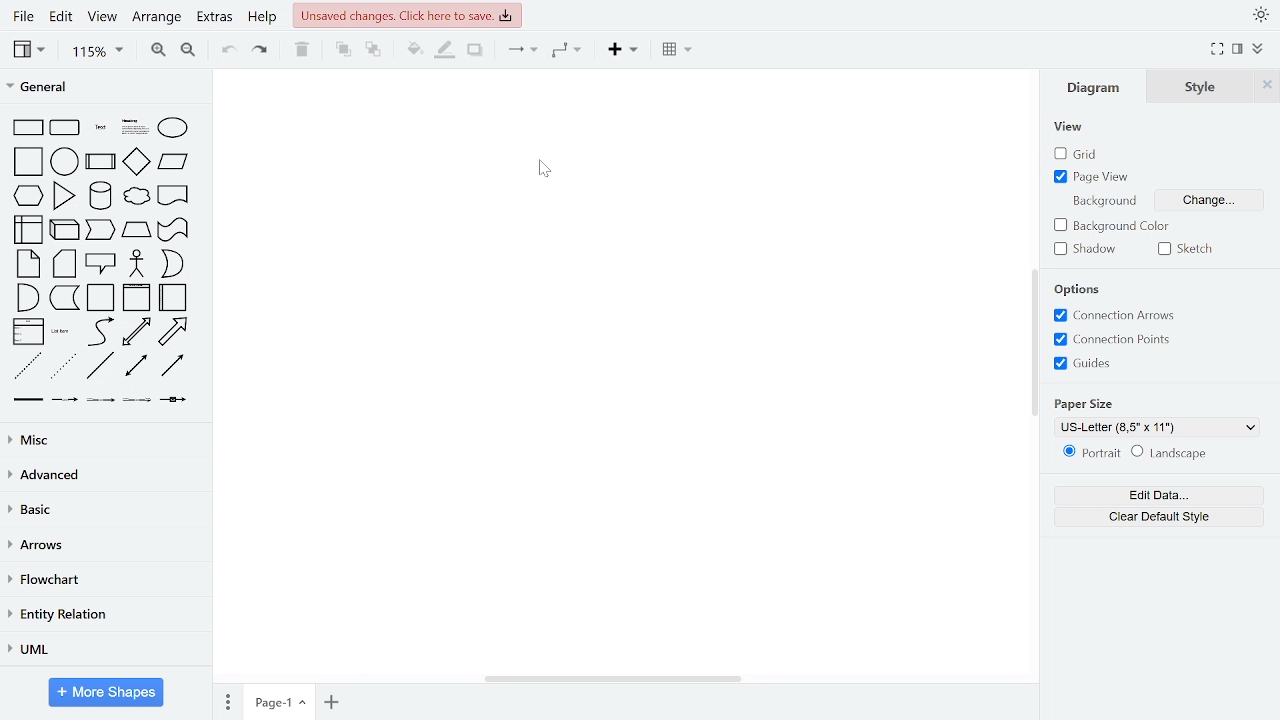  I want to click on guides, so click(1088, 364).